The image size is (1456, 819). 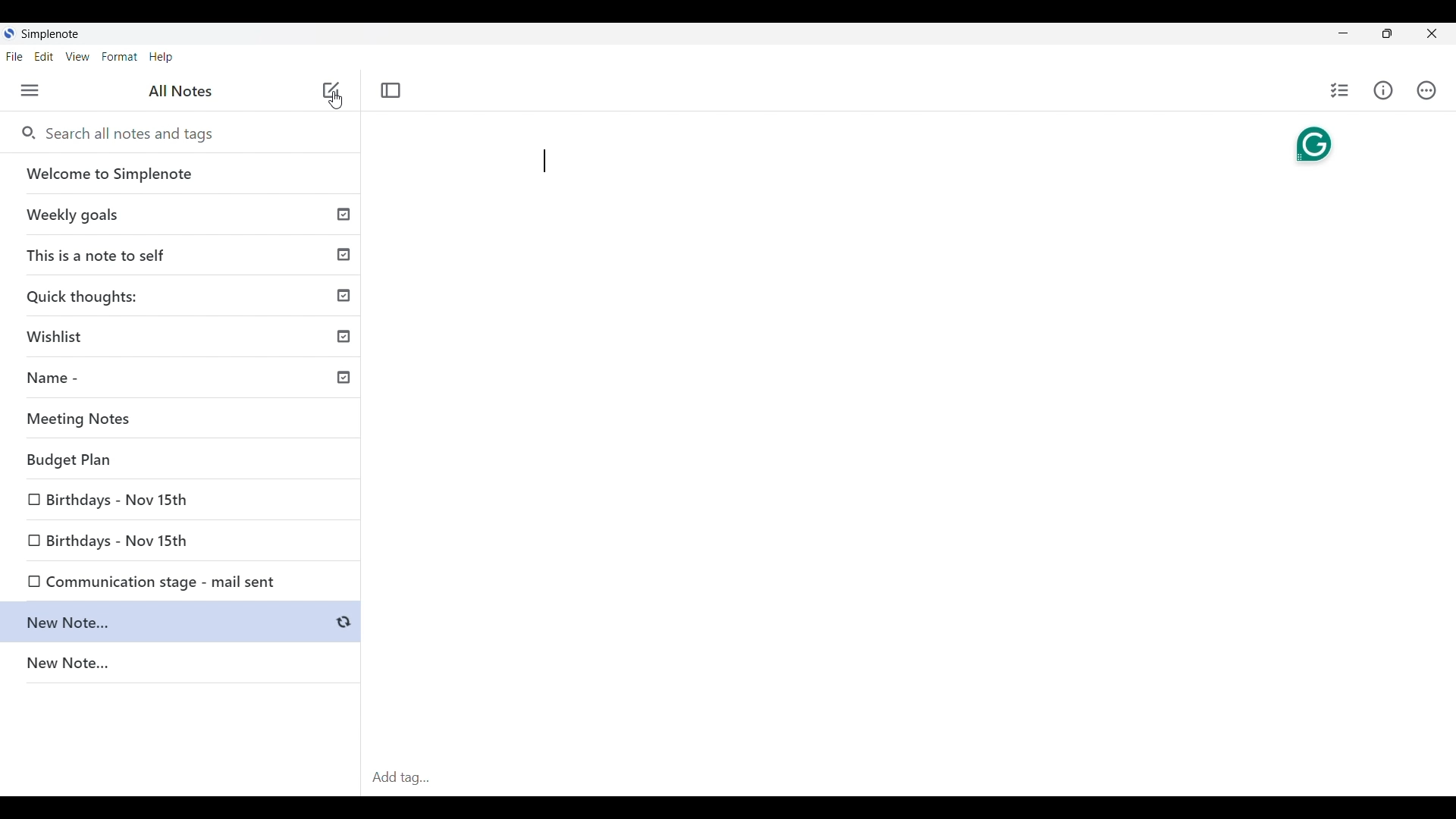 I want to click on Actions, so click(x=1426, y=90).